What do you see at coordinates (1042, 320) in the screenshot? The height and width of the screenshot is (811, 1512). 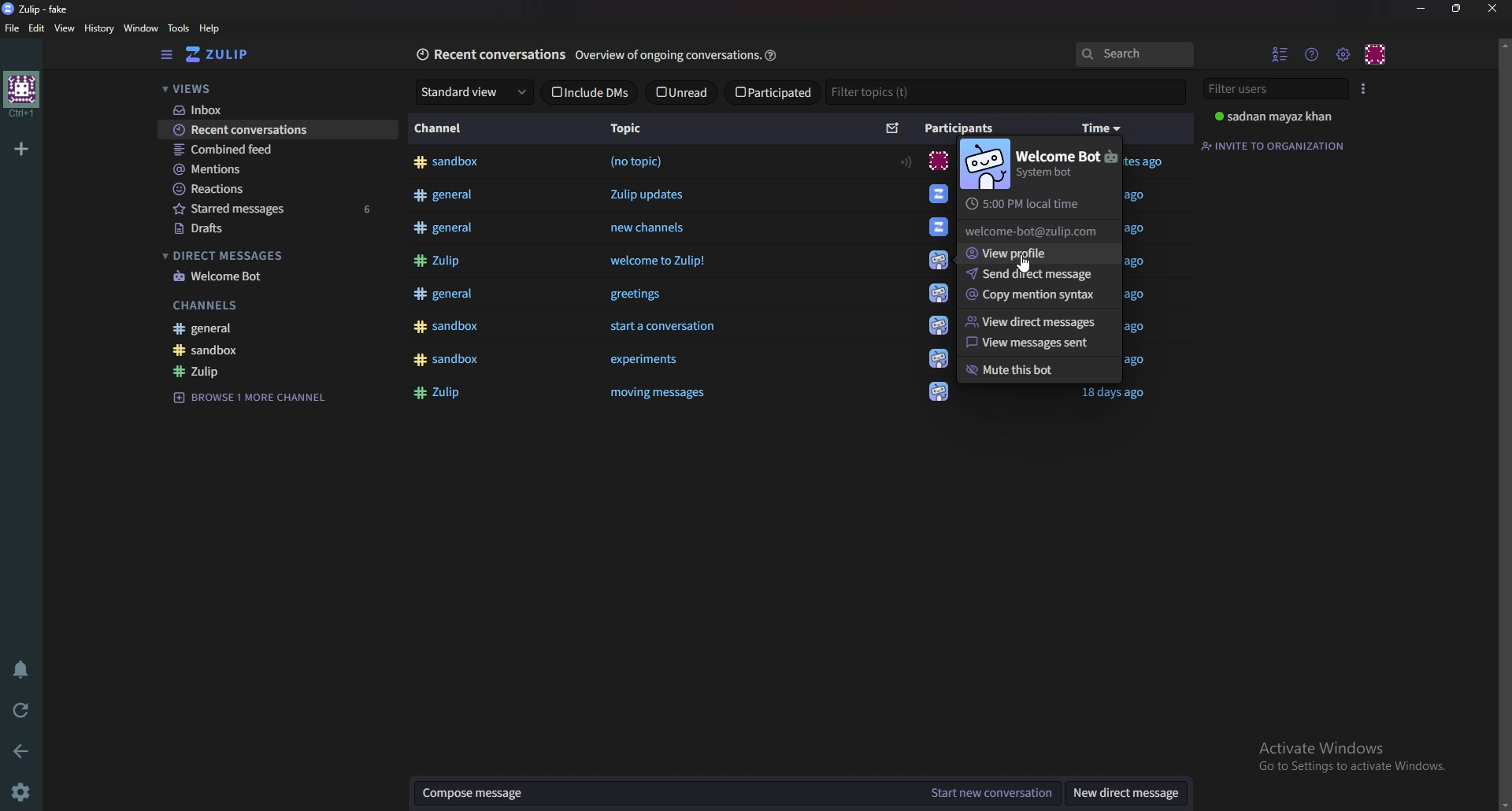 I see `View direct message` at bounding box center [1042, 320].